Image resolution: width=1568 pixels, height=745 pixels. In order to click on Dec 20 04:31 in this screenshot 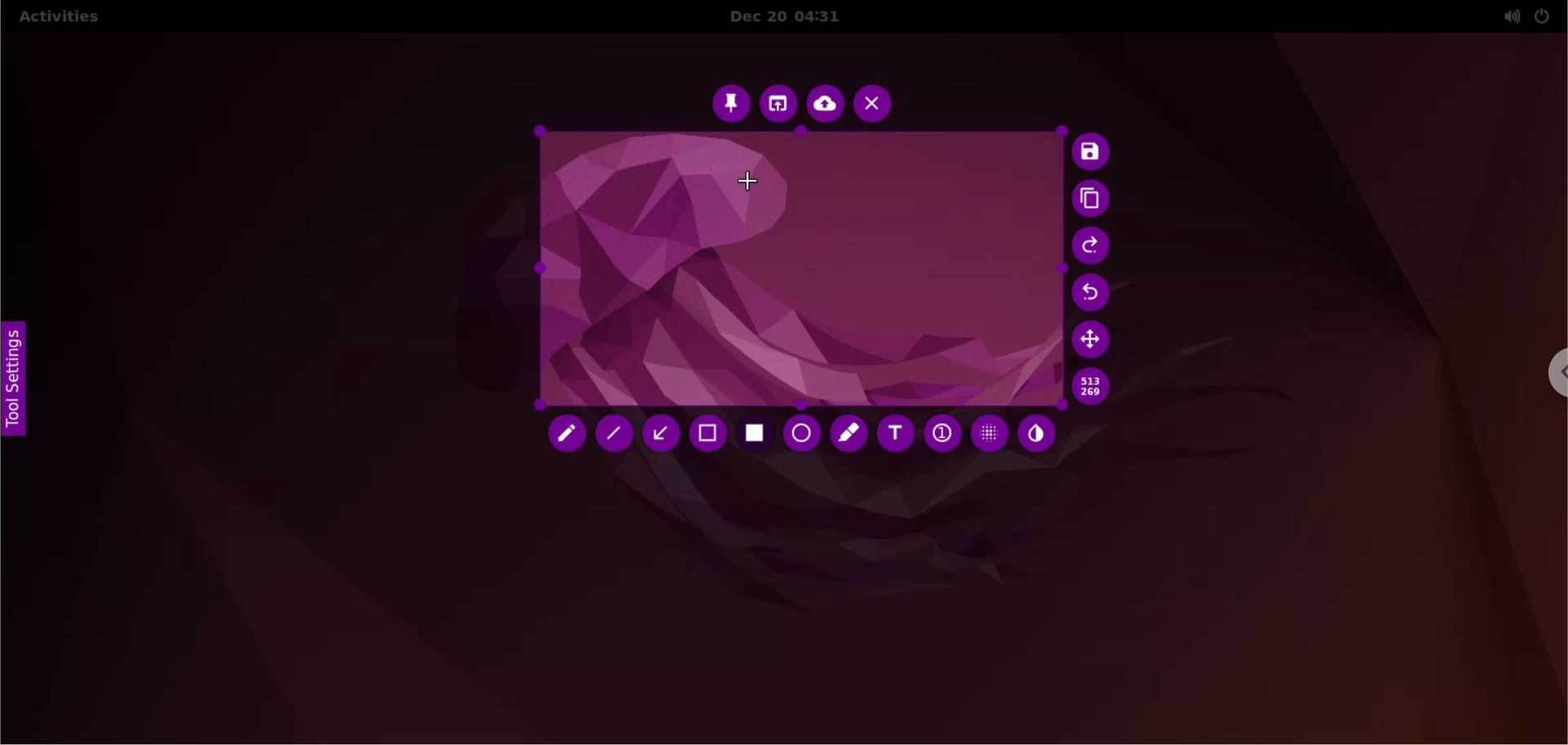, I will do `click(791, 17)`.